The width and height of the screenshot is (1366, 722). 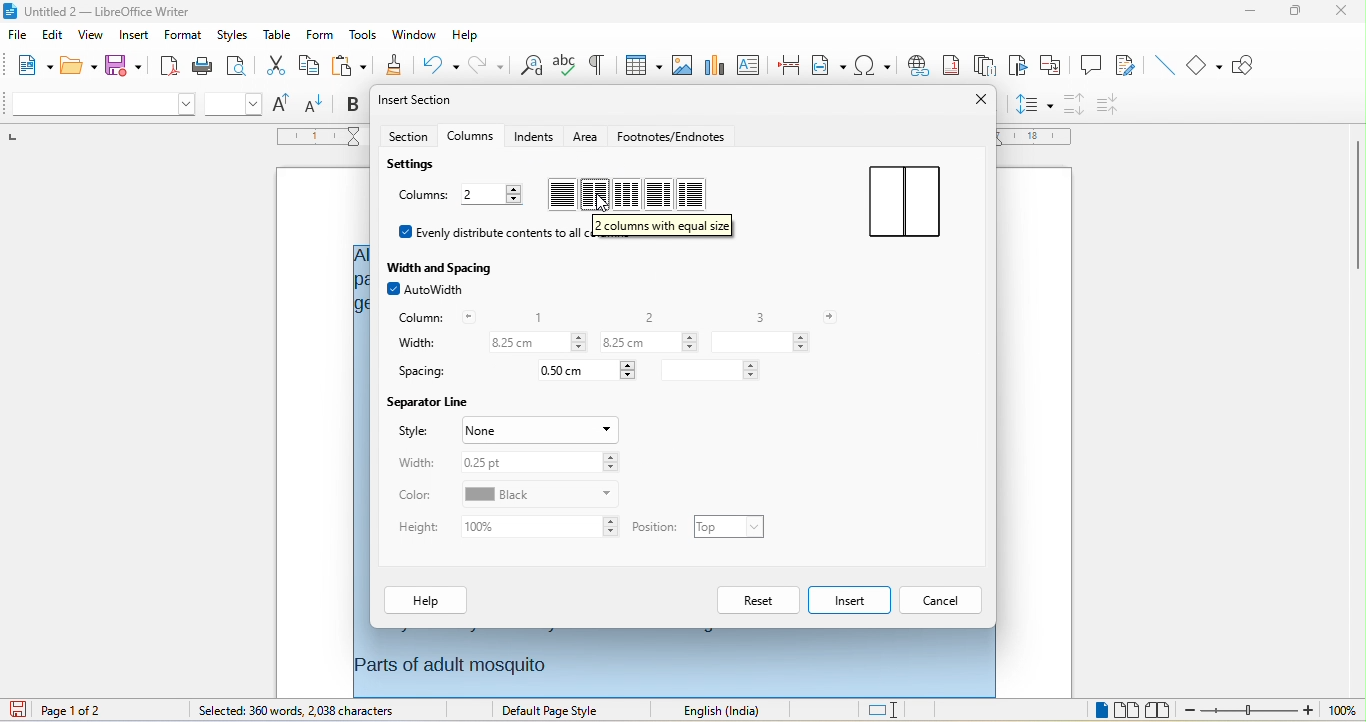 I want to click on book view, so click(x=1158, y=710).